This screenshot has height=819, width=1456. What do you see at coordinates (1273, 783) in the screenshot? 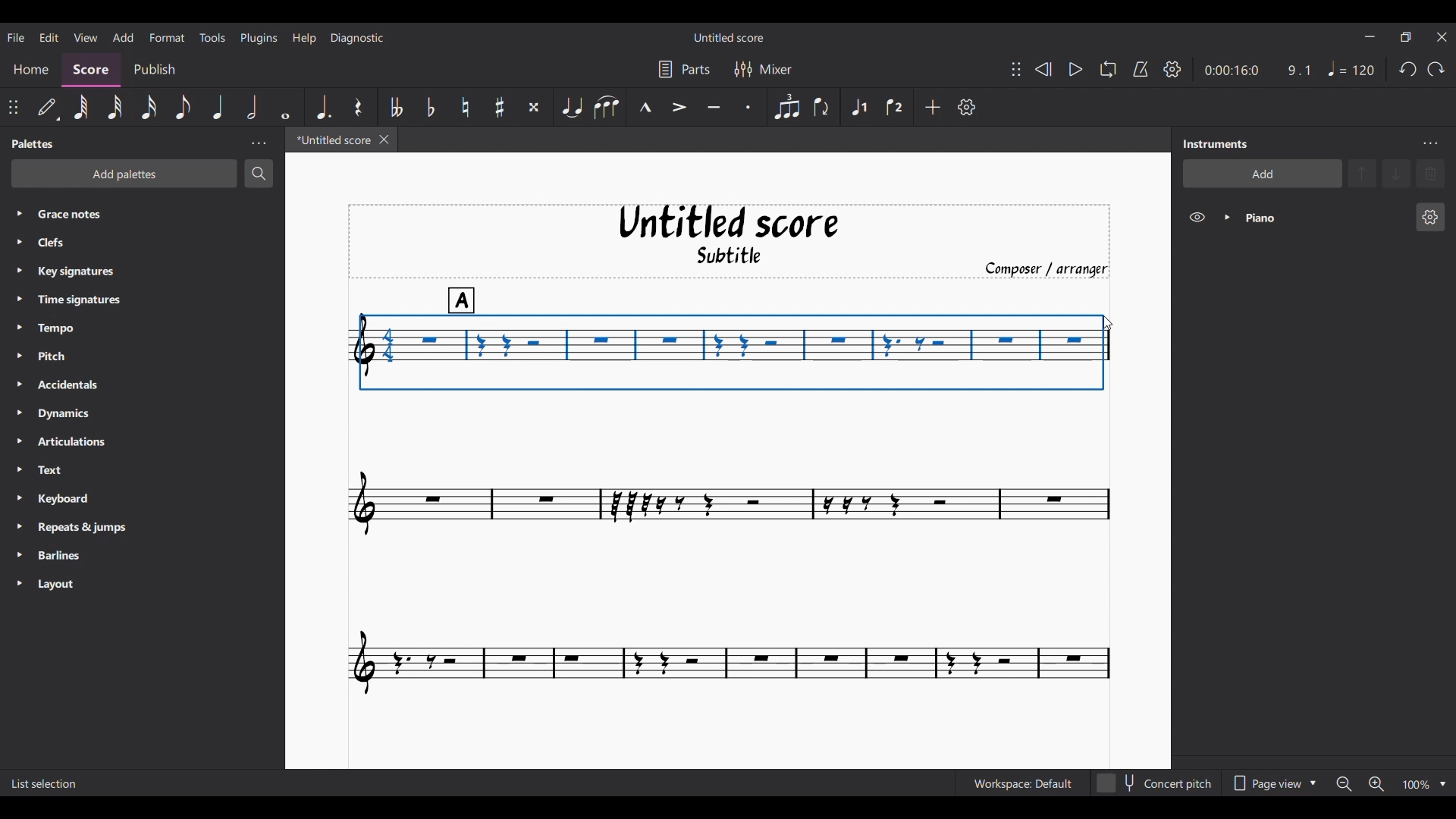
I see `Page view options` at bounding box center [1273, 783].